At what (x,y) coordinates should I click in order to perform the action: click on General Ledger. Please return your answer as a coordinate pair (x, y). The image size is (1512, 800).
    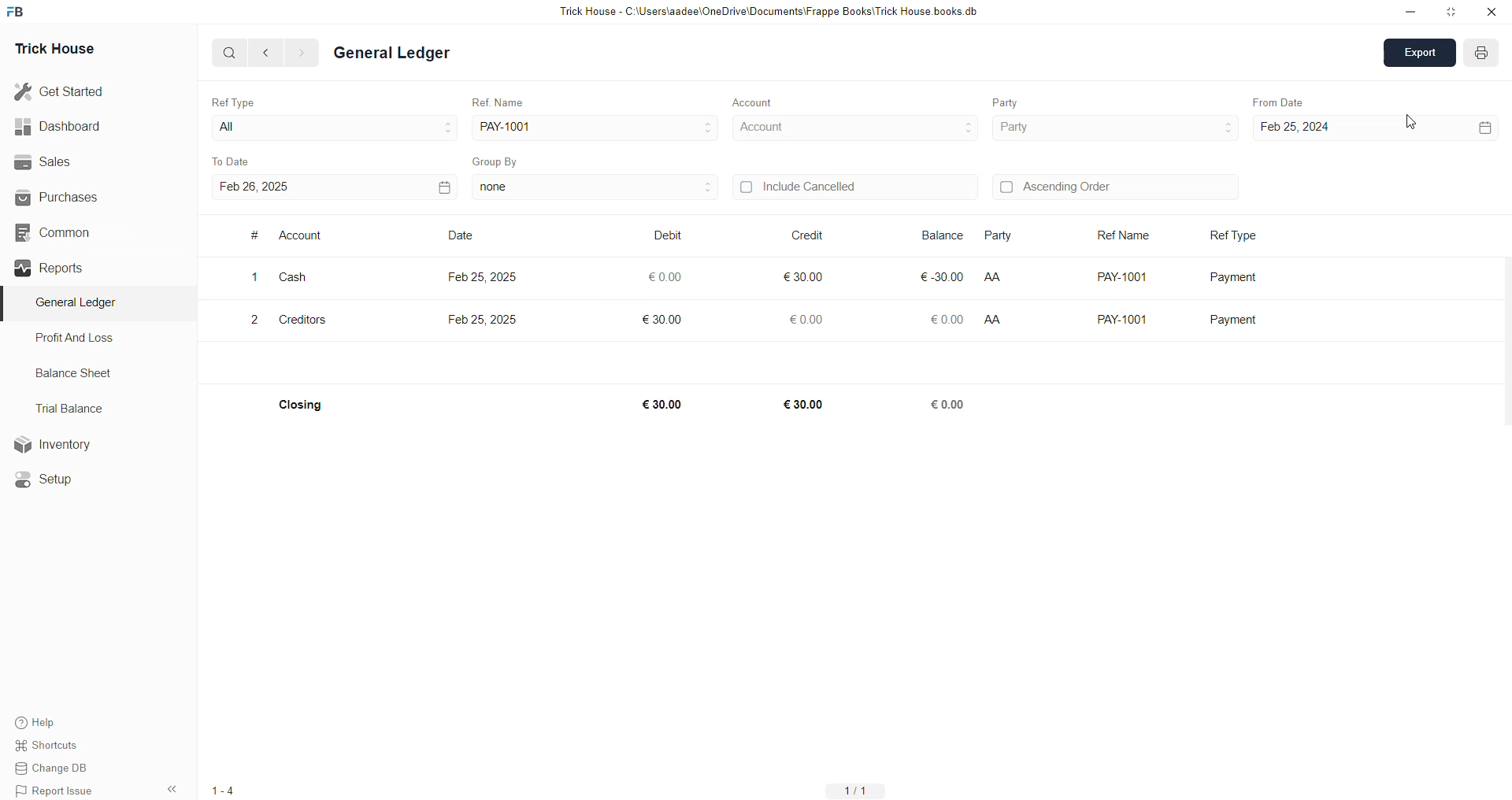
    Looking at the image, I should click on (406, 55).